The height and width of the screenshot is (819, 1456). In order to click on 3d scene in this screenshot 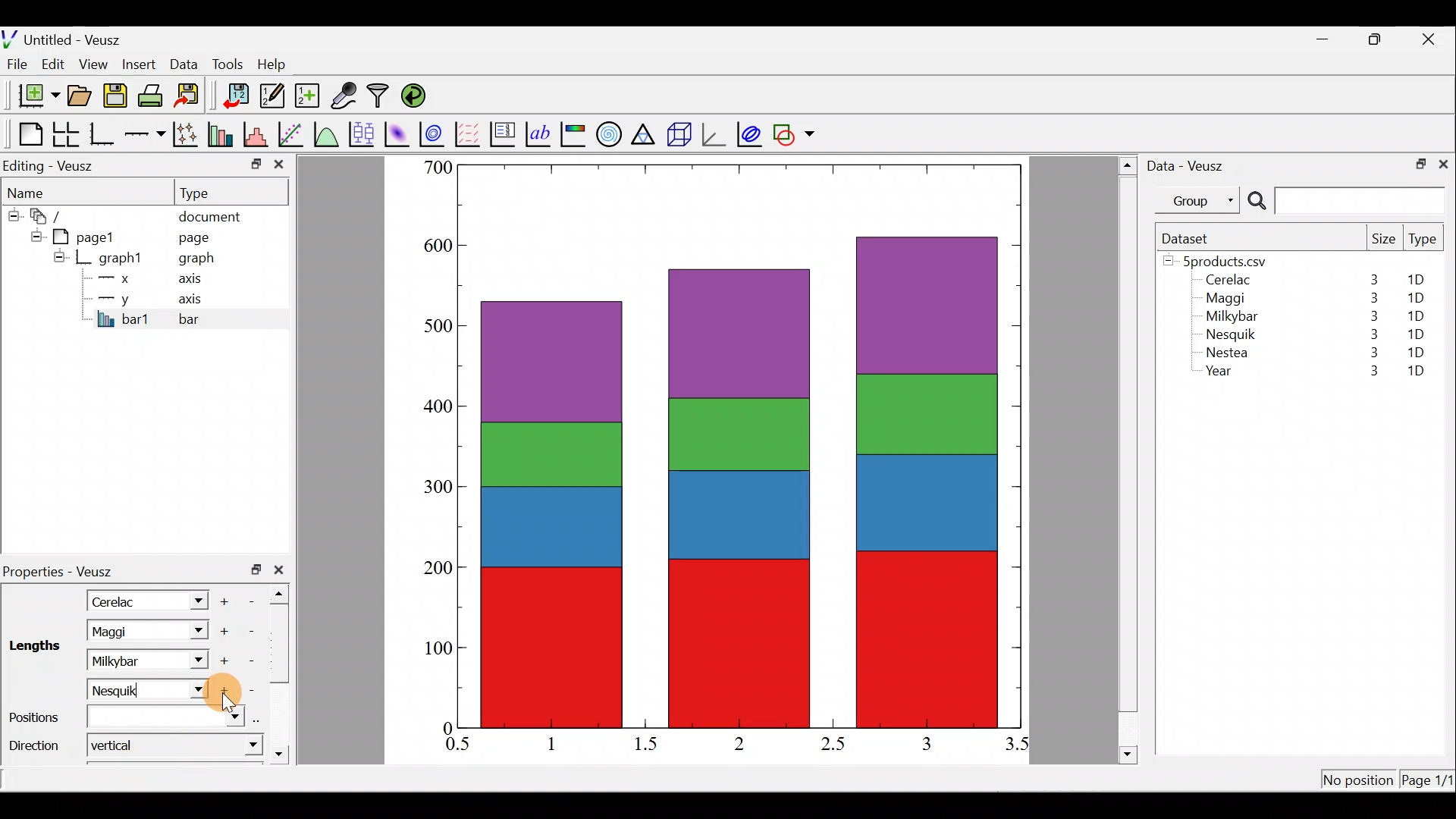, I will do `click(678, 134)`.